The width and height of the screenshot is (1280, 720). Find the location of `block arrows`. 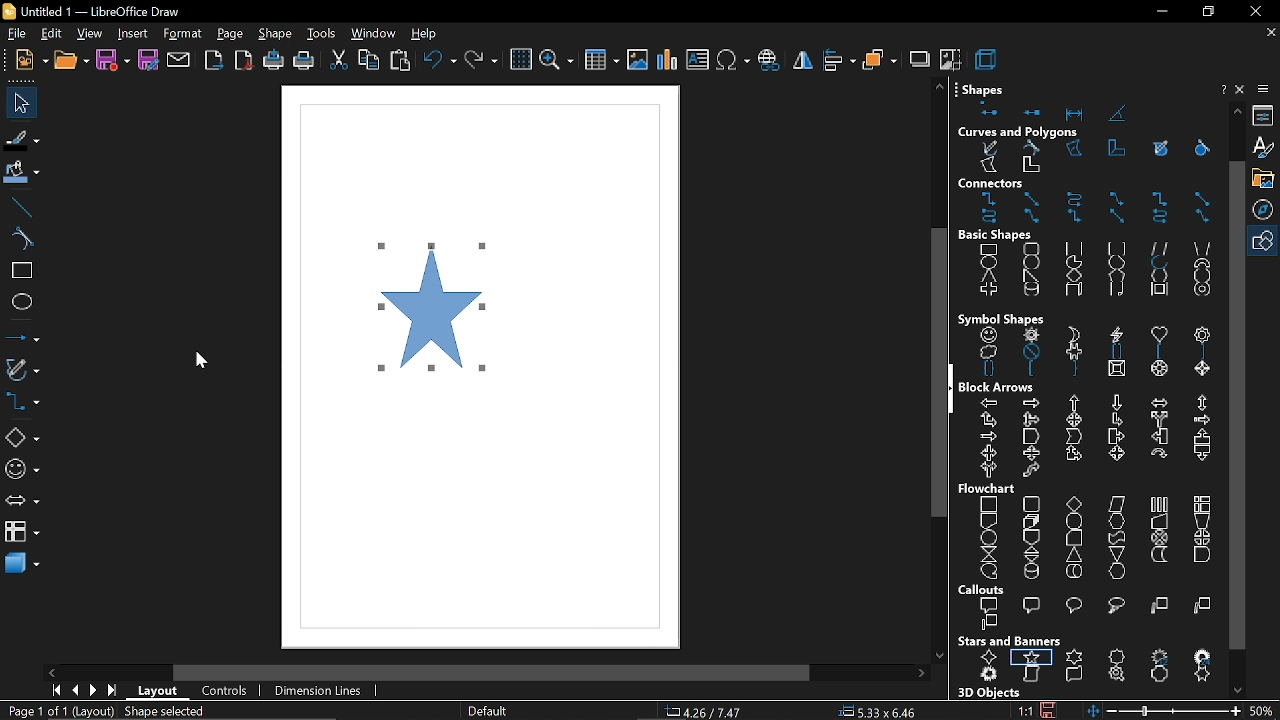

block arrows is located at coordinates (998, 387).